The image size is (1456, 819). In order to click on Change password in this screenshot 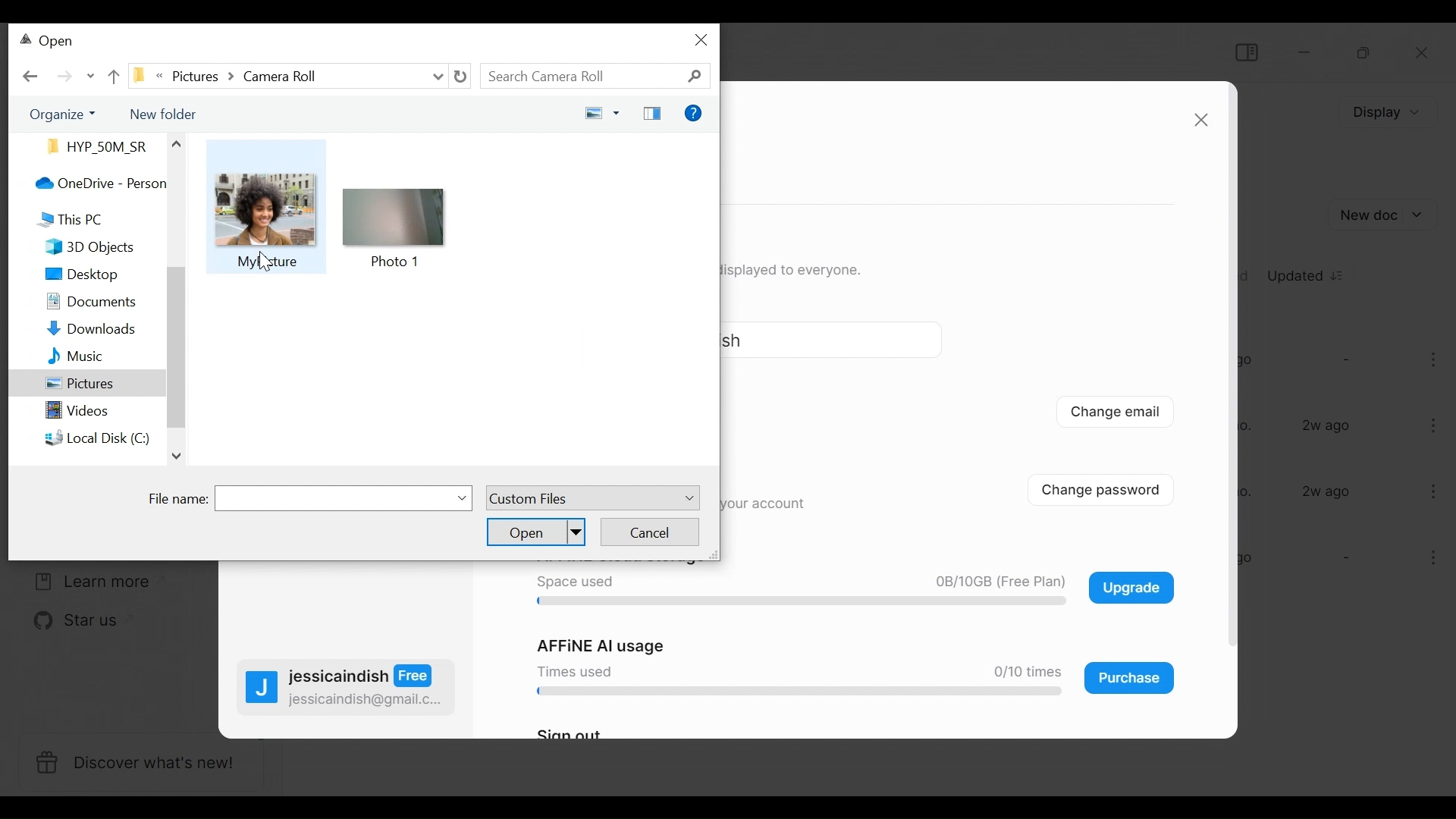, I will do `click(1112, 488)`.